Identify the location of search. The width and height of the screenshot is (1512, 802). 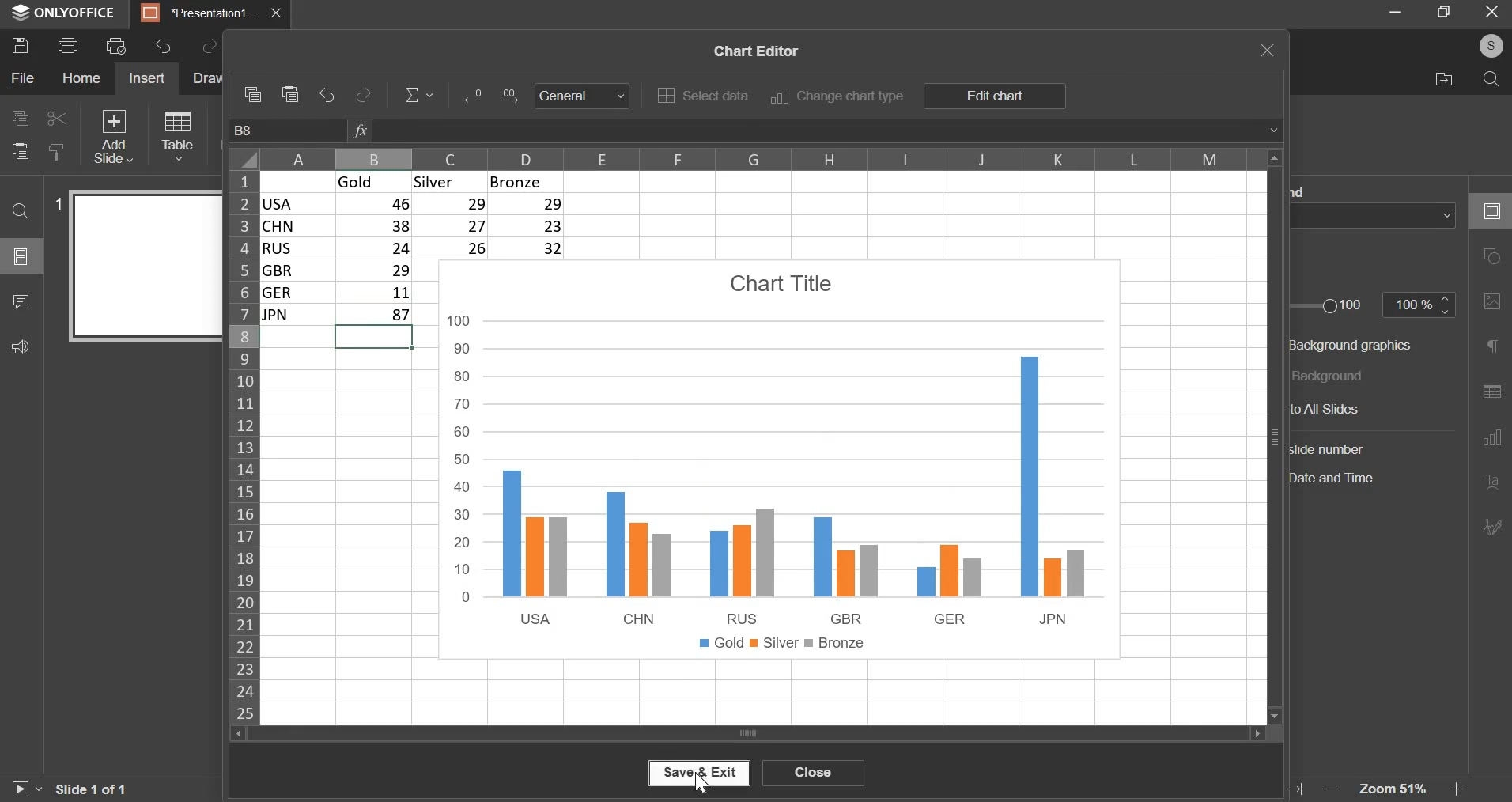
(1492, 79).